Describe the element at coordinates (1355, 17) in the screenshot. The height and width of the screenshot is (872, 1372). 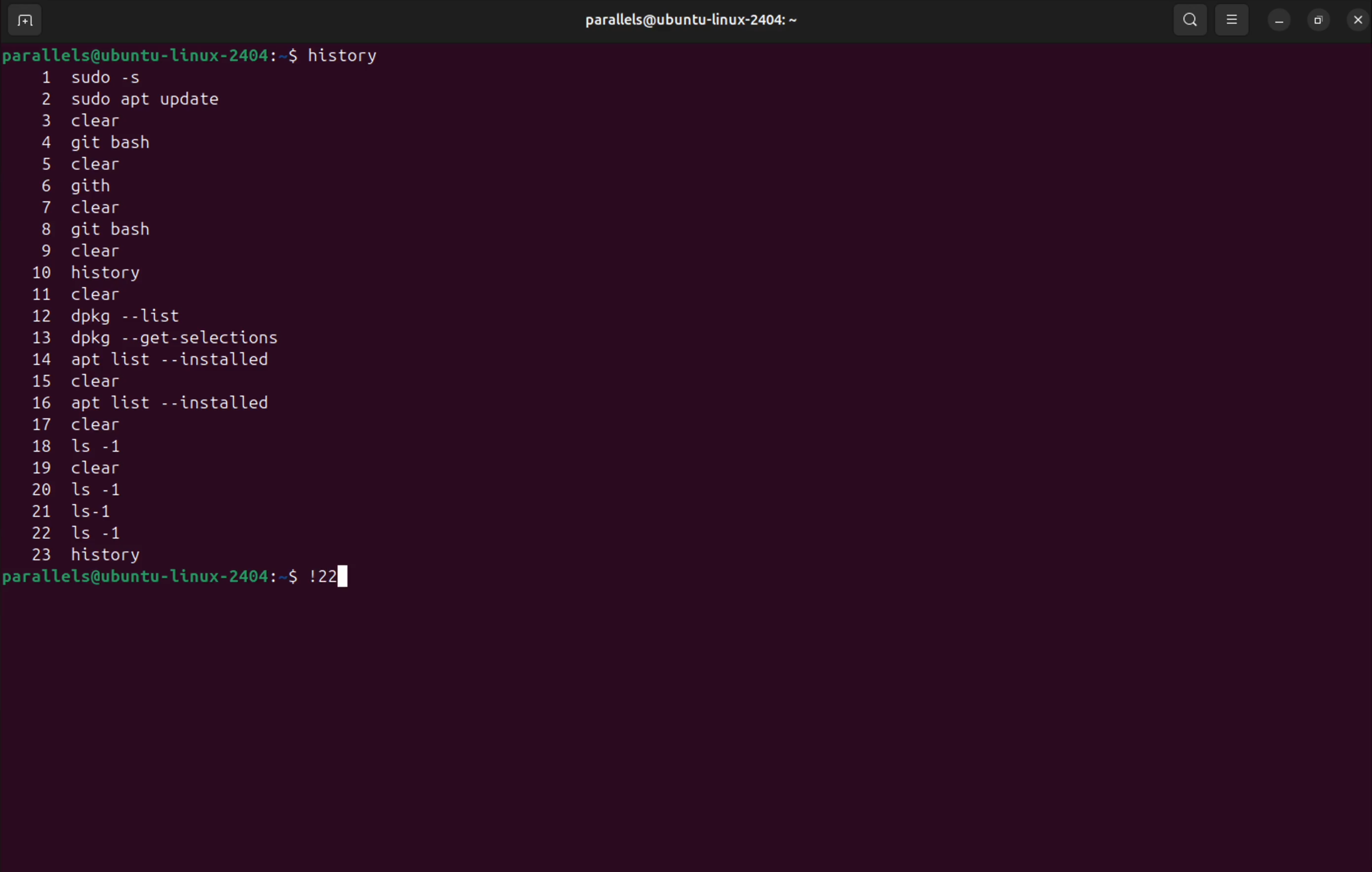
I see `close` at that location.